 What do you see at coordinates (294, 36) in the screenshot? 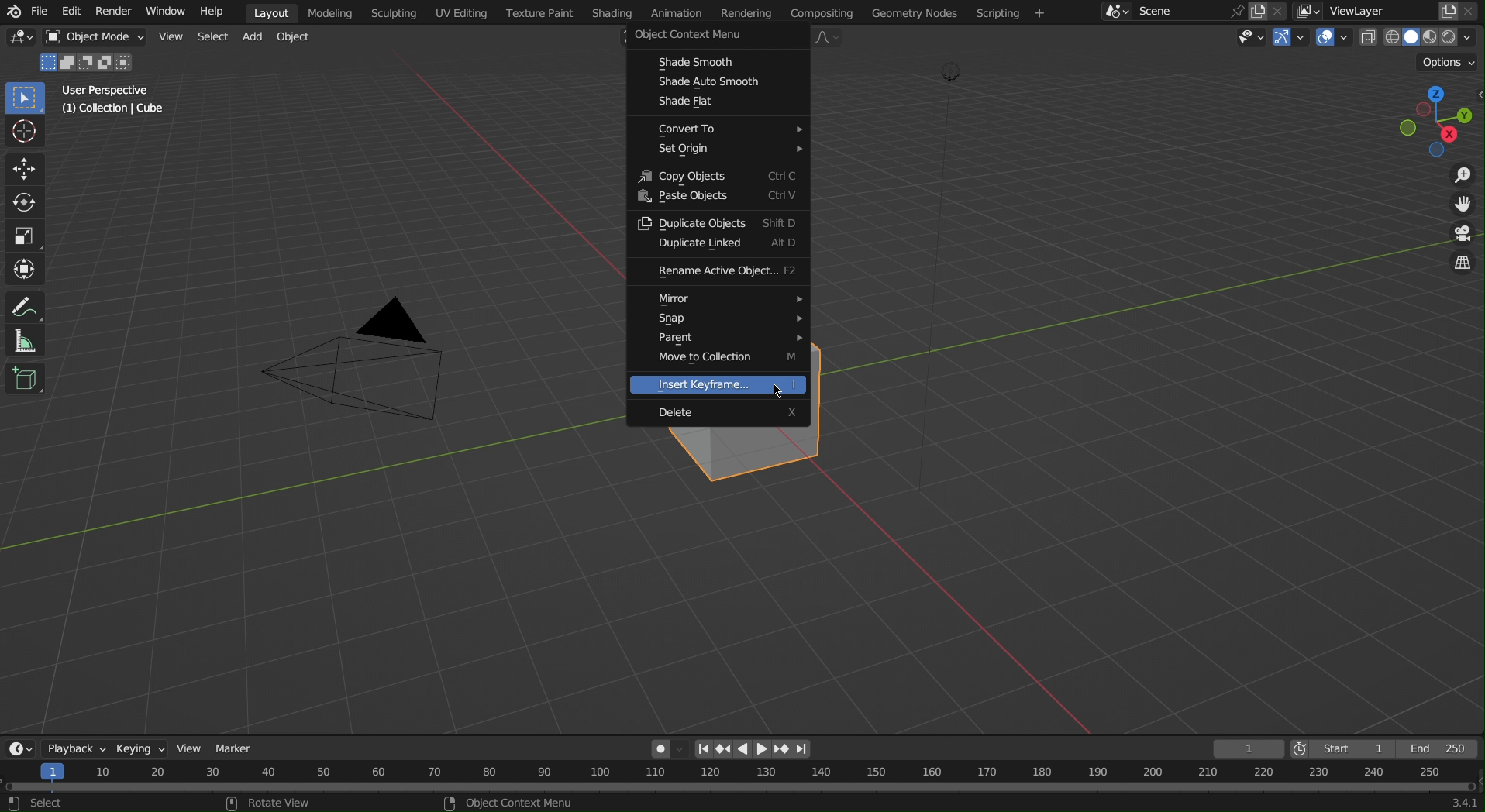
I see `Object` at bounding box center [294, 36].